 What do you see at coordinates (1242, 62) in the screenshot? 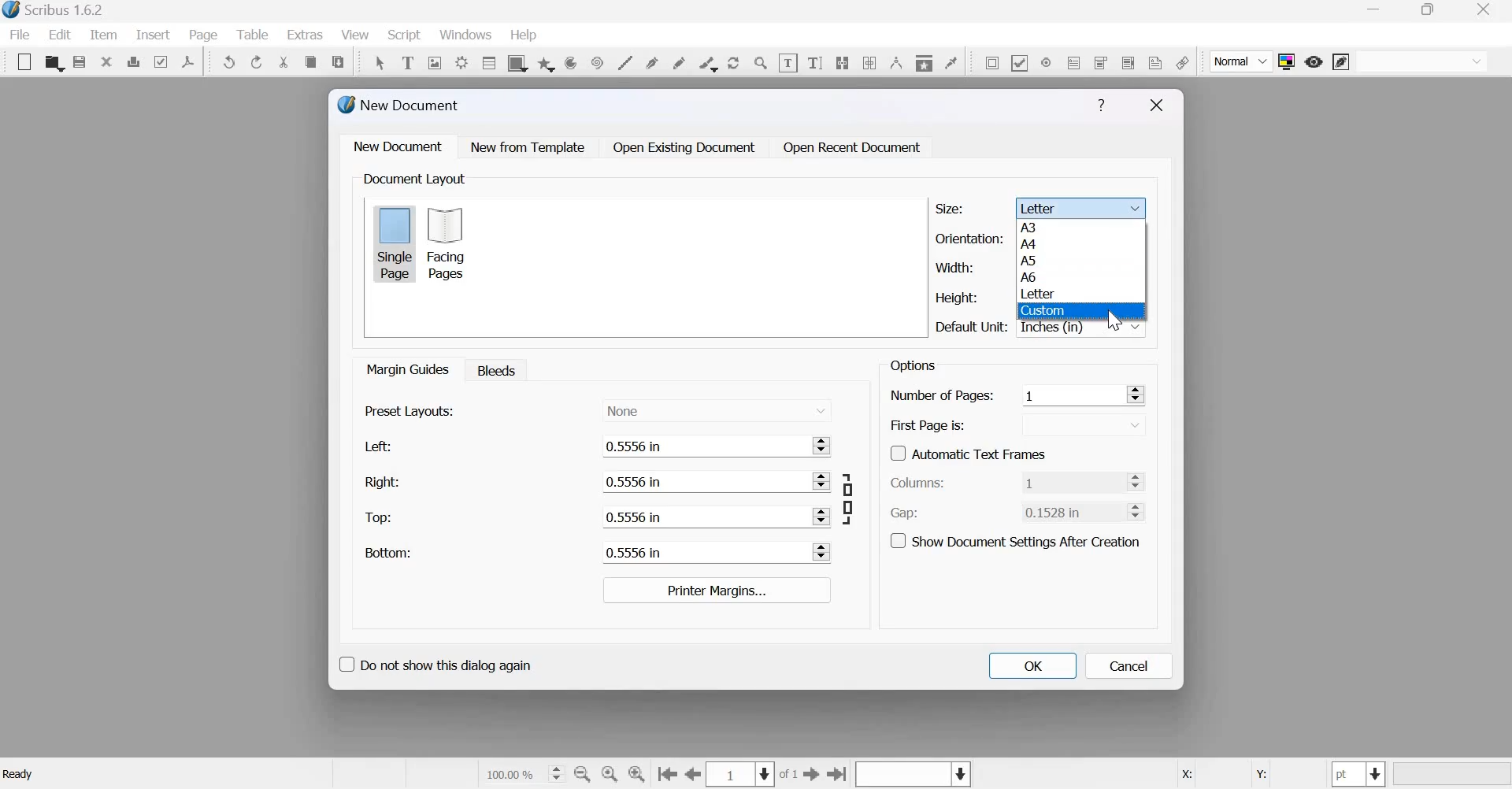
I see `Normal` at bounding box center [1242, 62].